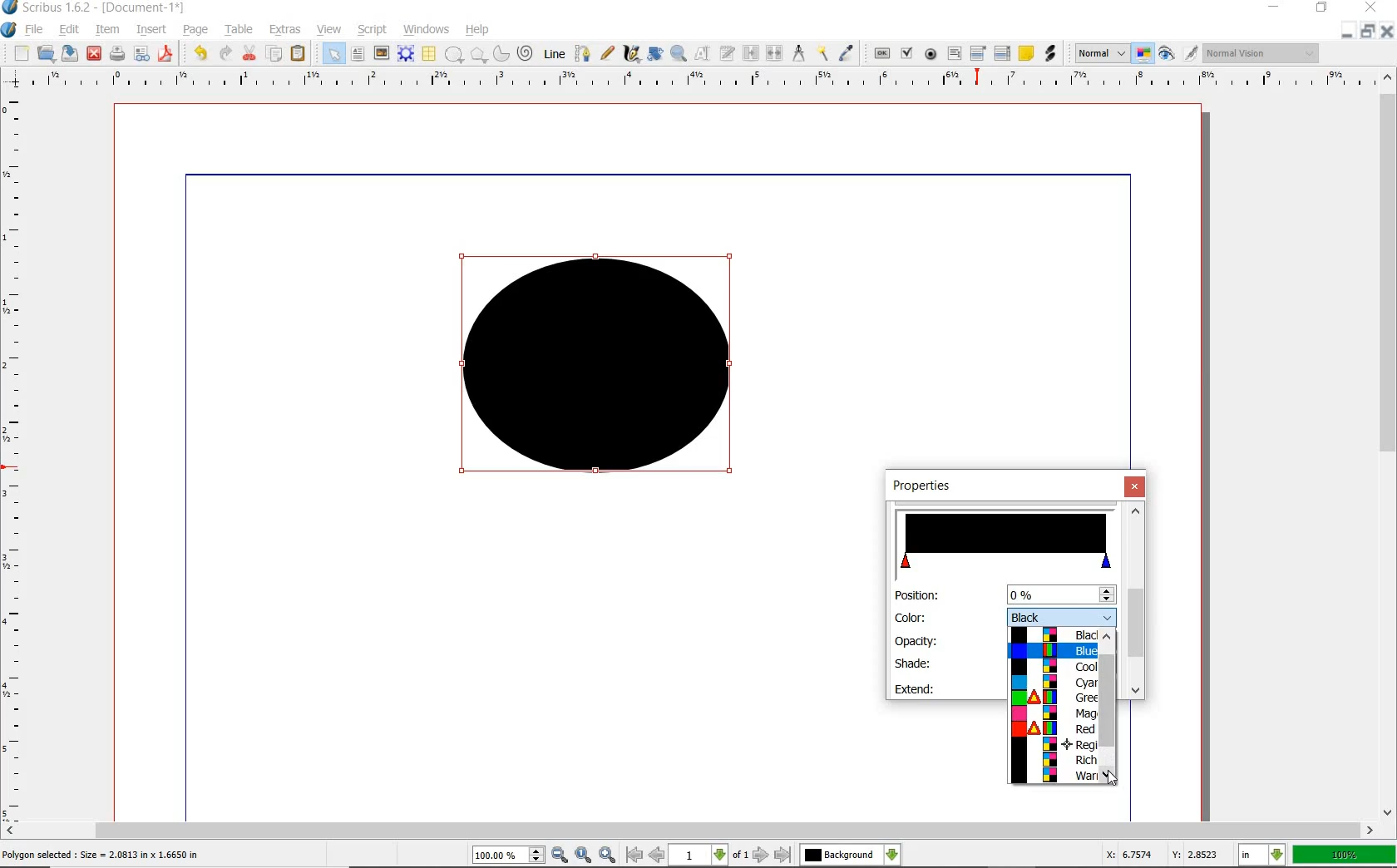 This screenshot has height=868, width=1397. I want to click on ZOOM IN OR OUT, so click(678, 54).